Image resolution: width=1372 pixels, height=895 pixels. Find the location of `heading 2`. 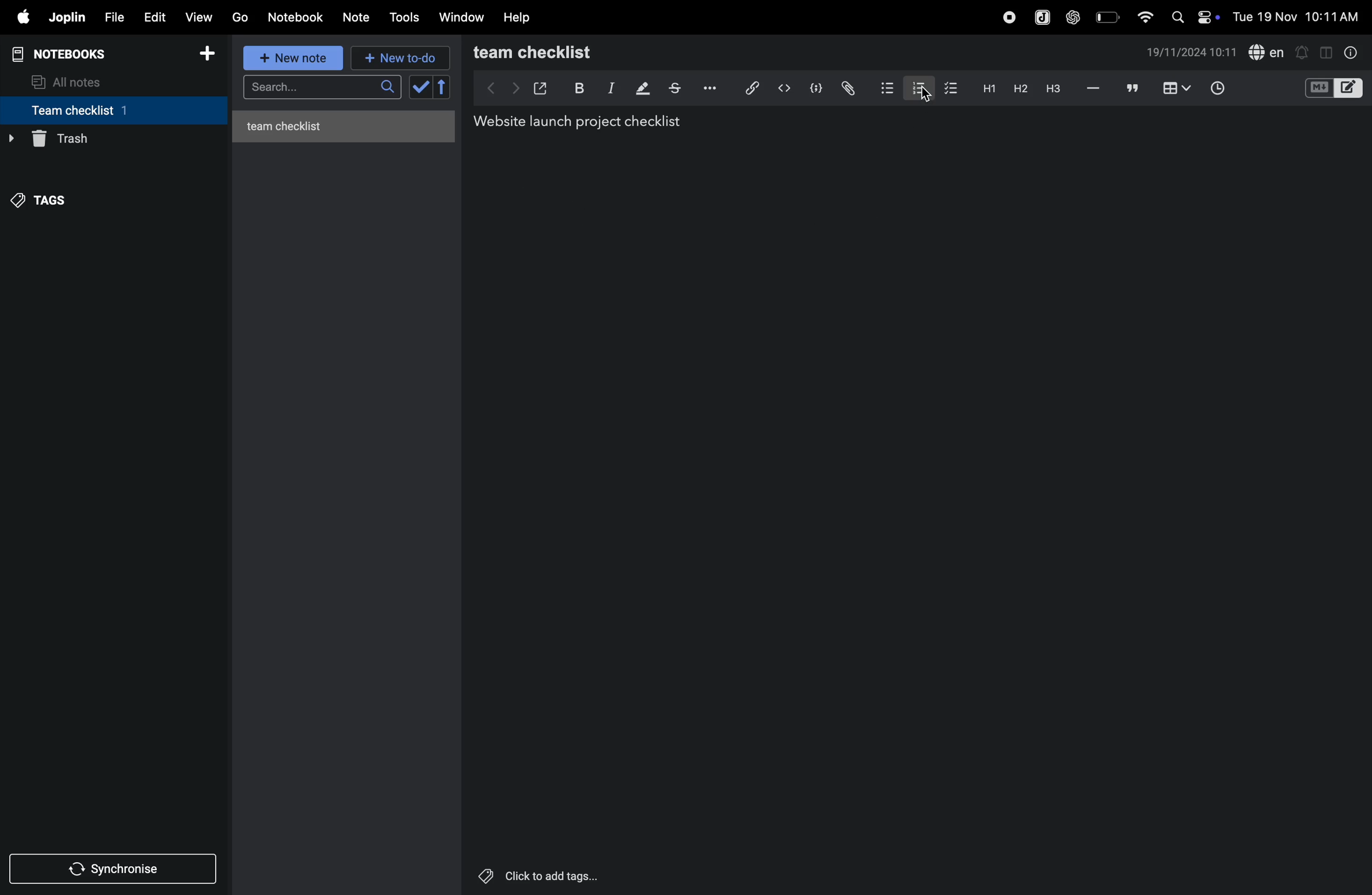

heading 2 is located at coordinates (1017, 88).